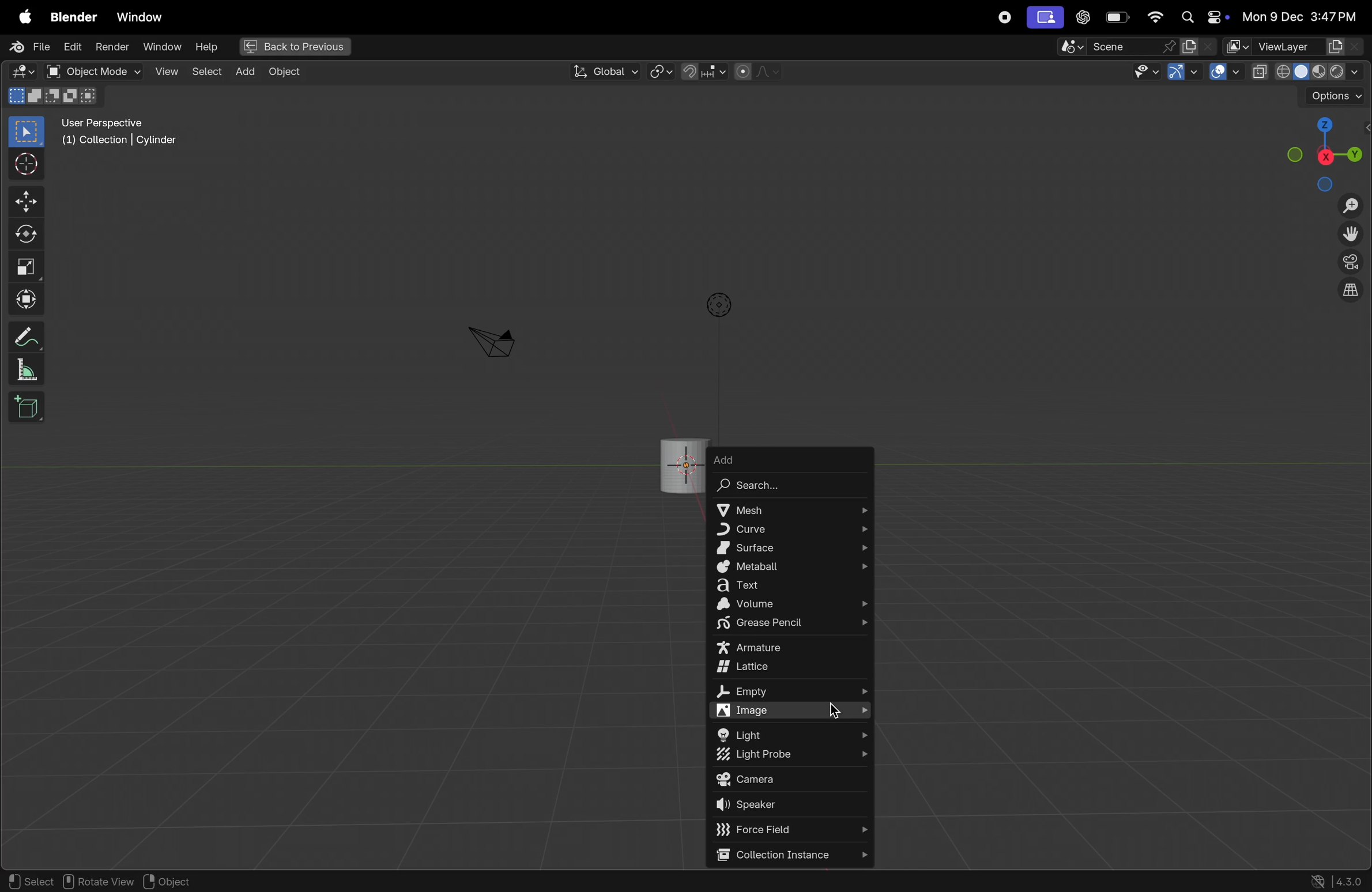 The image size is (1372, 892). What do you see at coordinates (793, 548) in the screenshot?
I see `surface` at bounding box center [793, 548].